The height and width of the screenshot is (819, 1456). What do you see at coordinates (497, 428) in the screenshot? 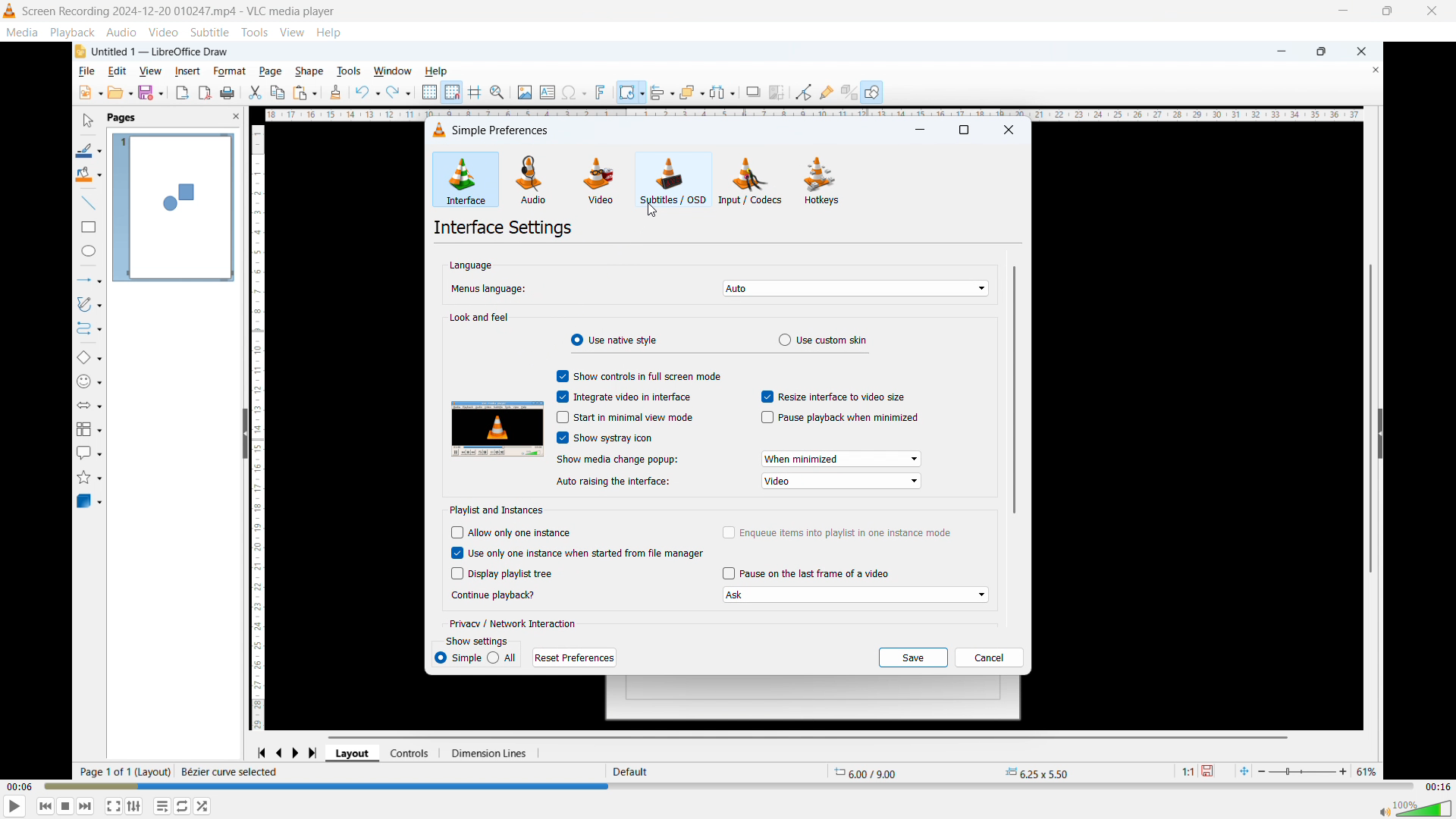
I see `Preview ` at bounding box center [497, 428].